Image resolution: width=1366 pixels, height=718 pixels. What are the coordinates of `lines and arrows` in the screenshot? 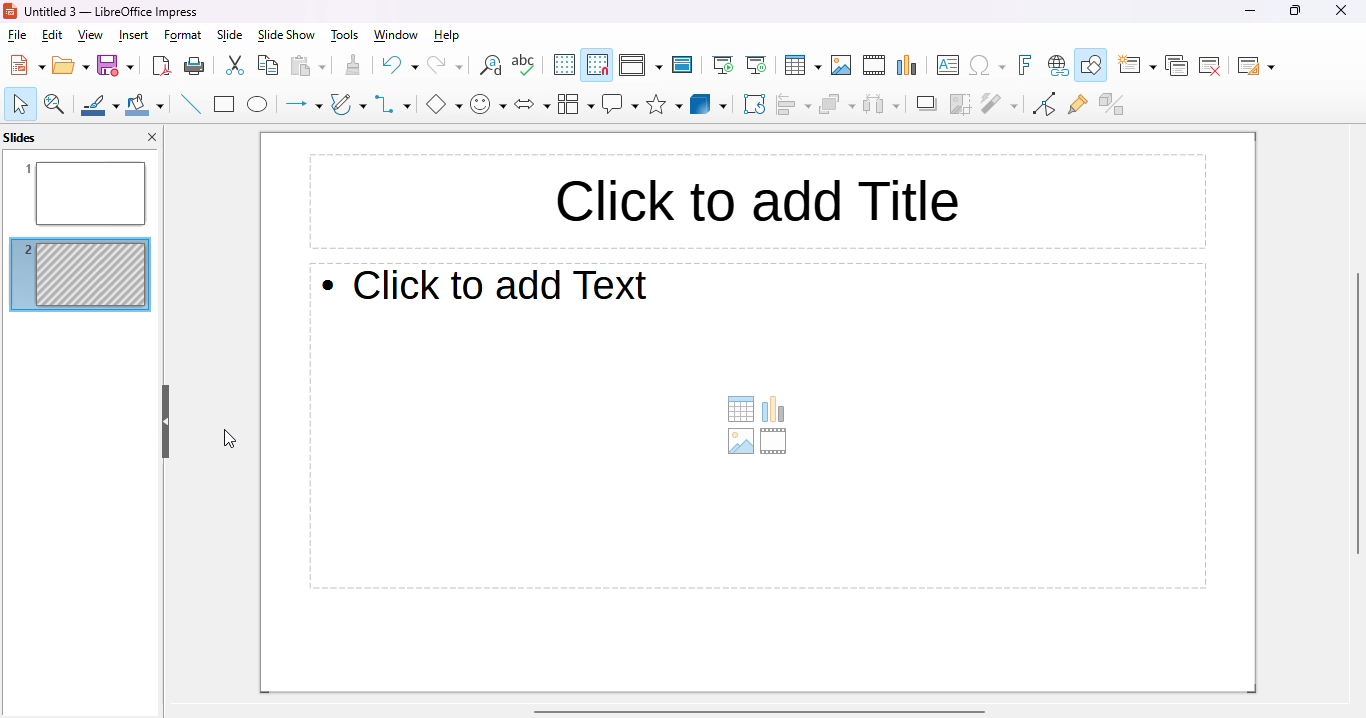 It's located at (303, 105).